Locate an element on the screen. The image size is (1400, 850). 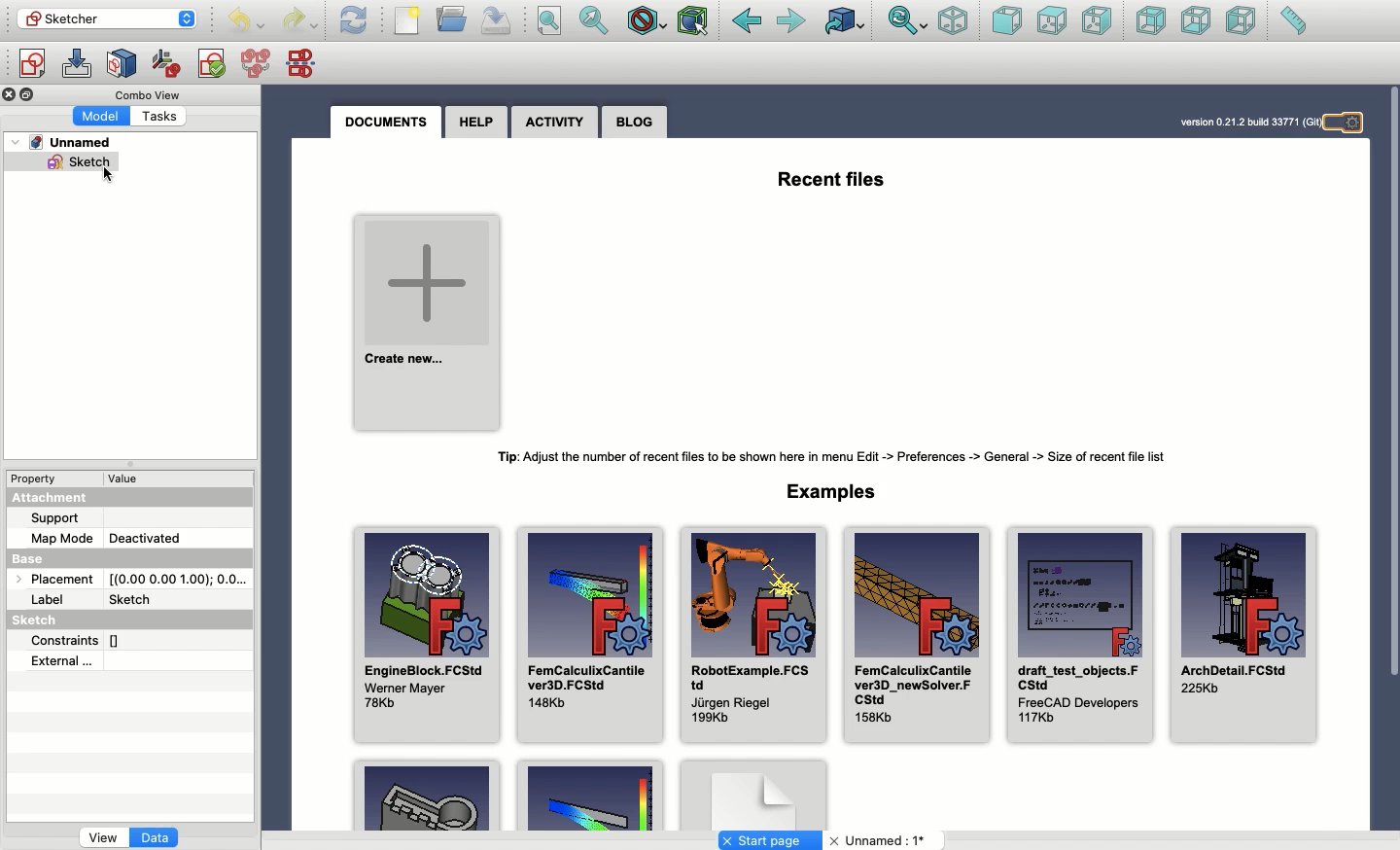
Fit all is located at coordinates (548, 21).